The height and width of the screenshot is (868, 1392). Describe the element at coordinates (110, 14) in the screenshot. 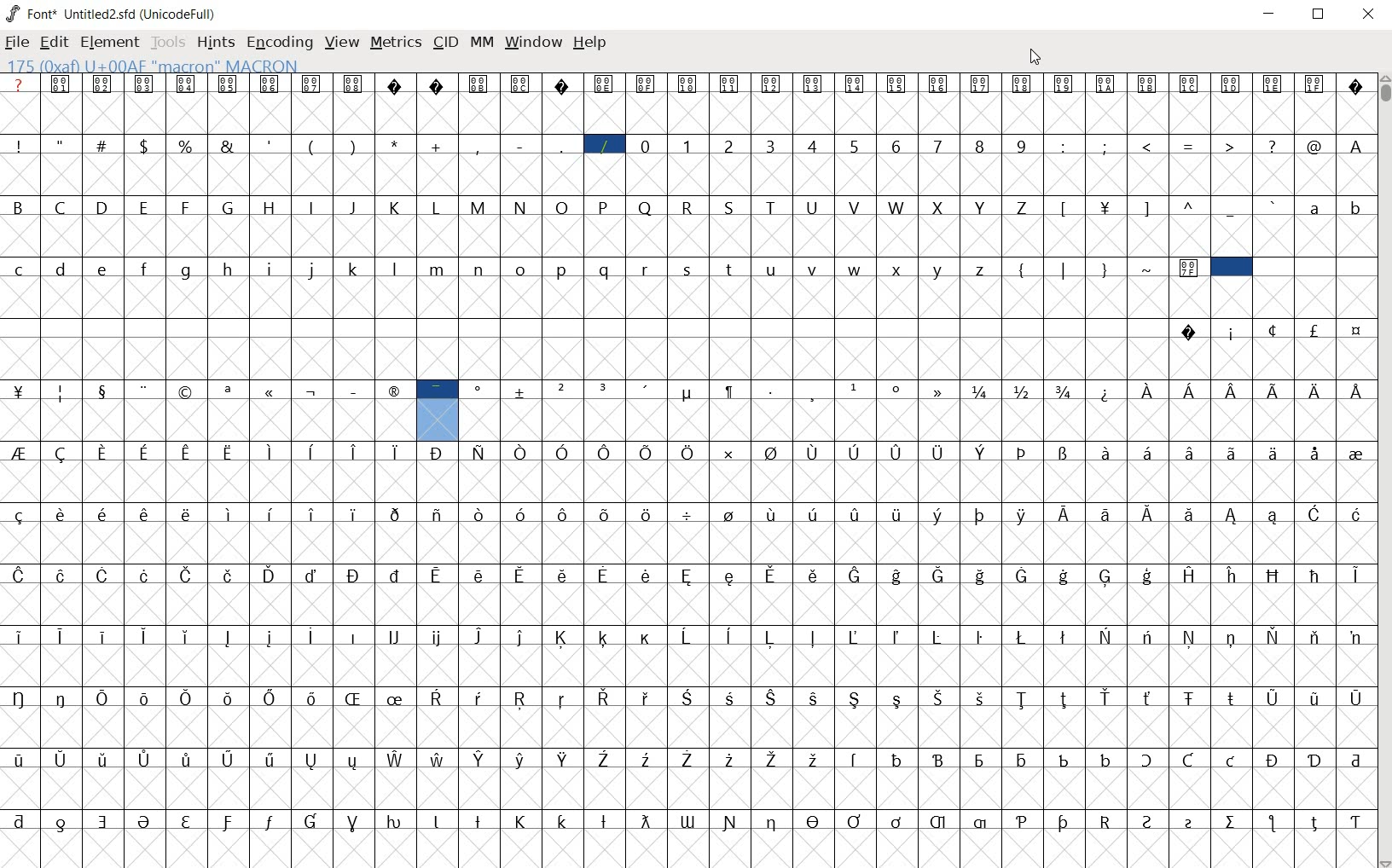

I see `FONT NAME` at that location.